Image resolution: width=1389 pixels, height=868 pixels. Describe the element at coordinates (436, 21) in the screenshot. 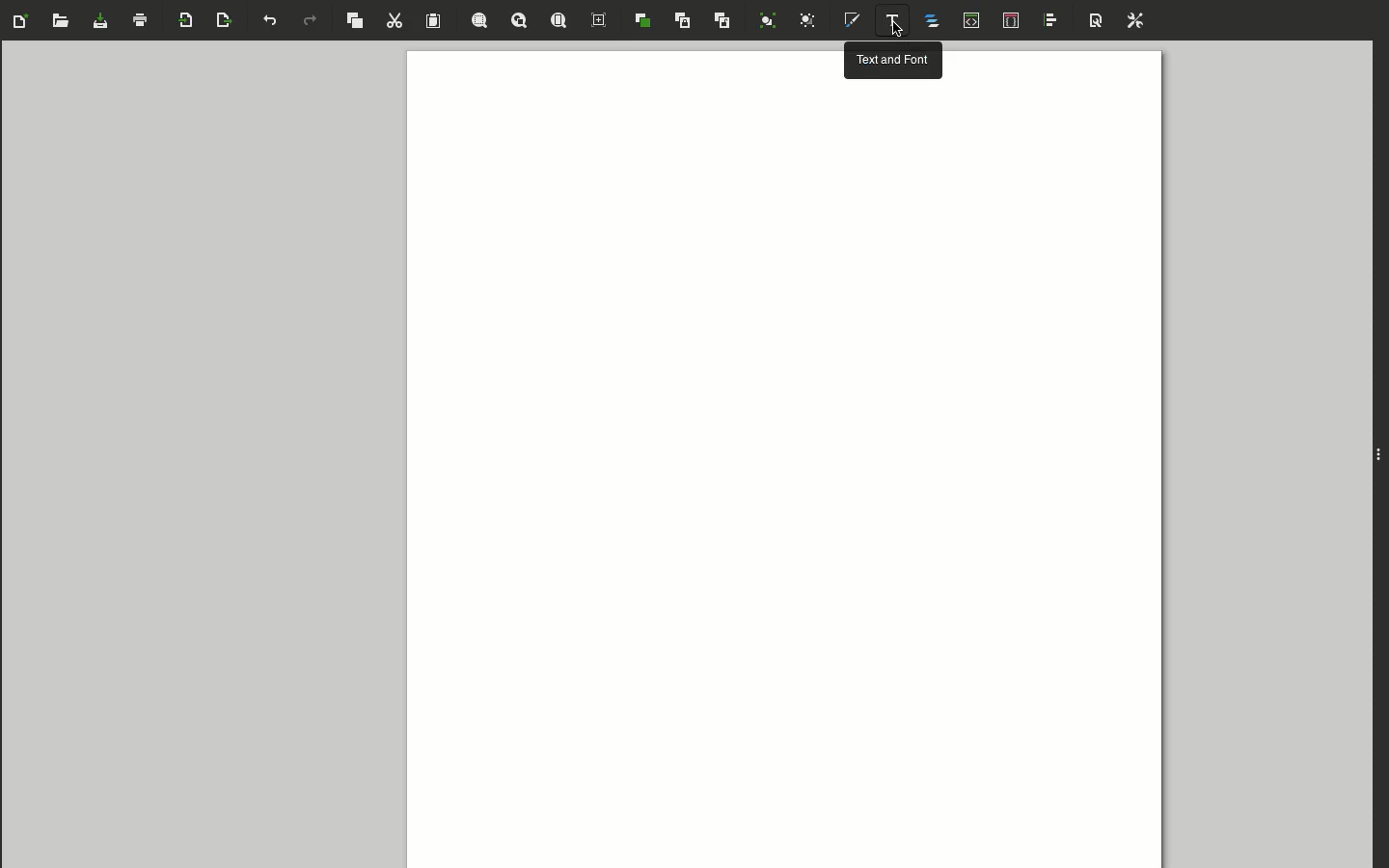

I see `Paste` at that location.